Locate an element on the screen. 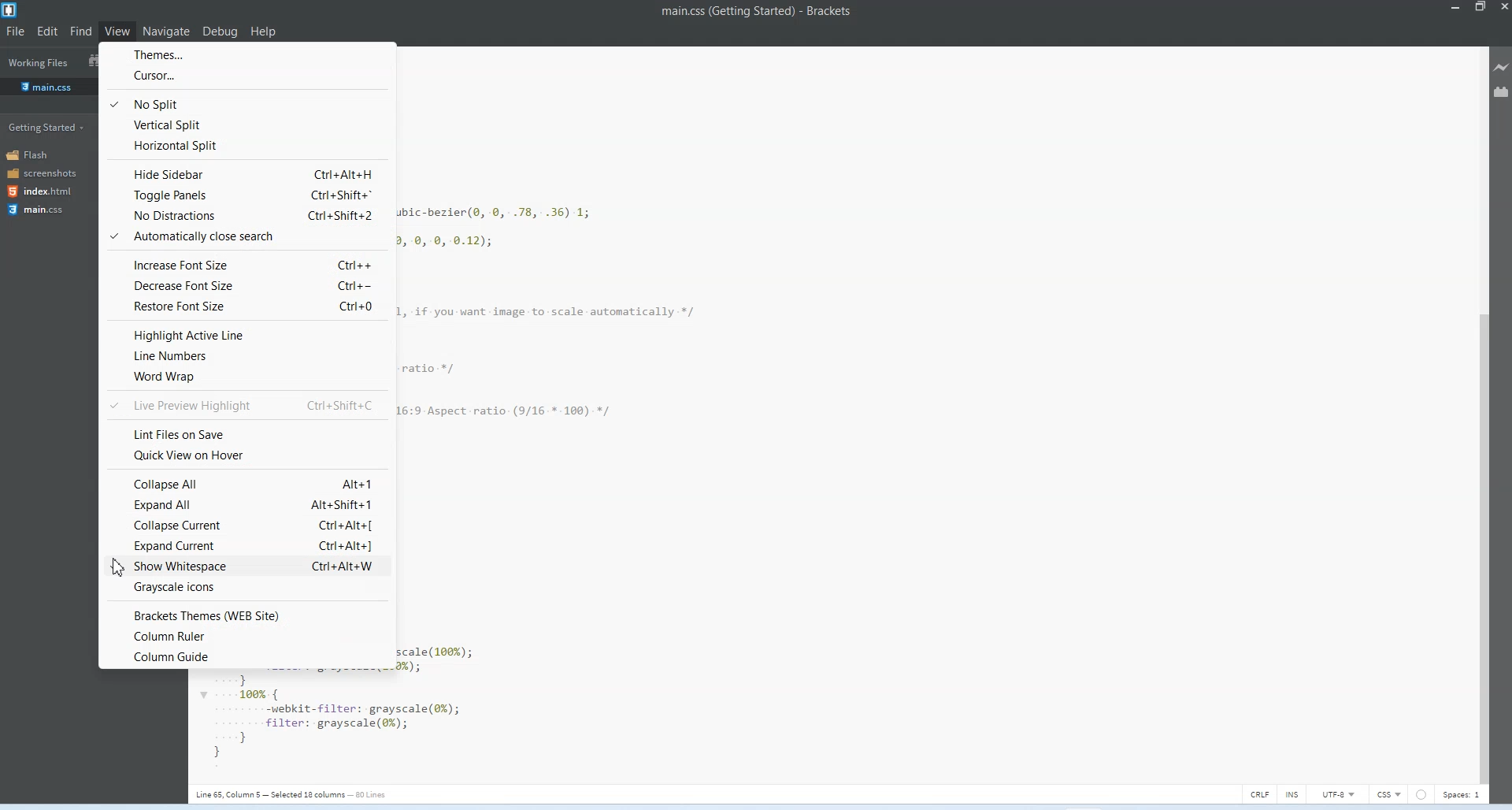 The image size is (1512, 810). Automatically close search is located at coordinates (245, 237).